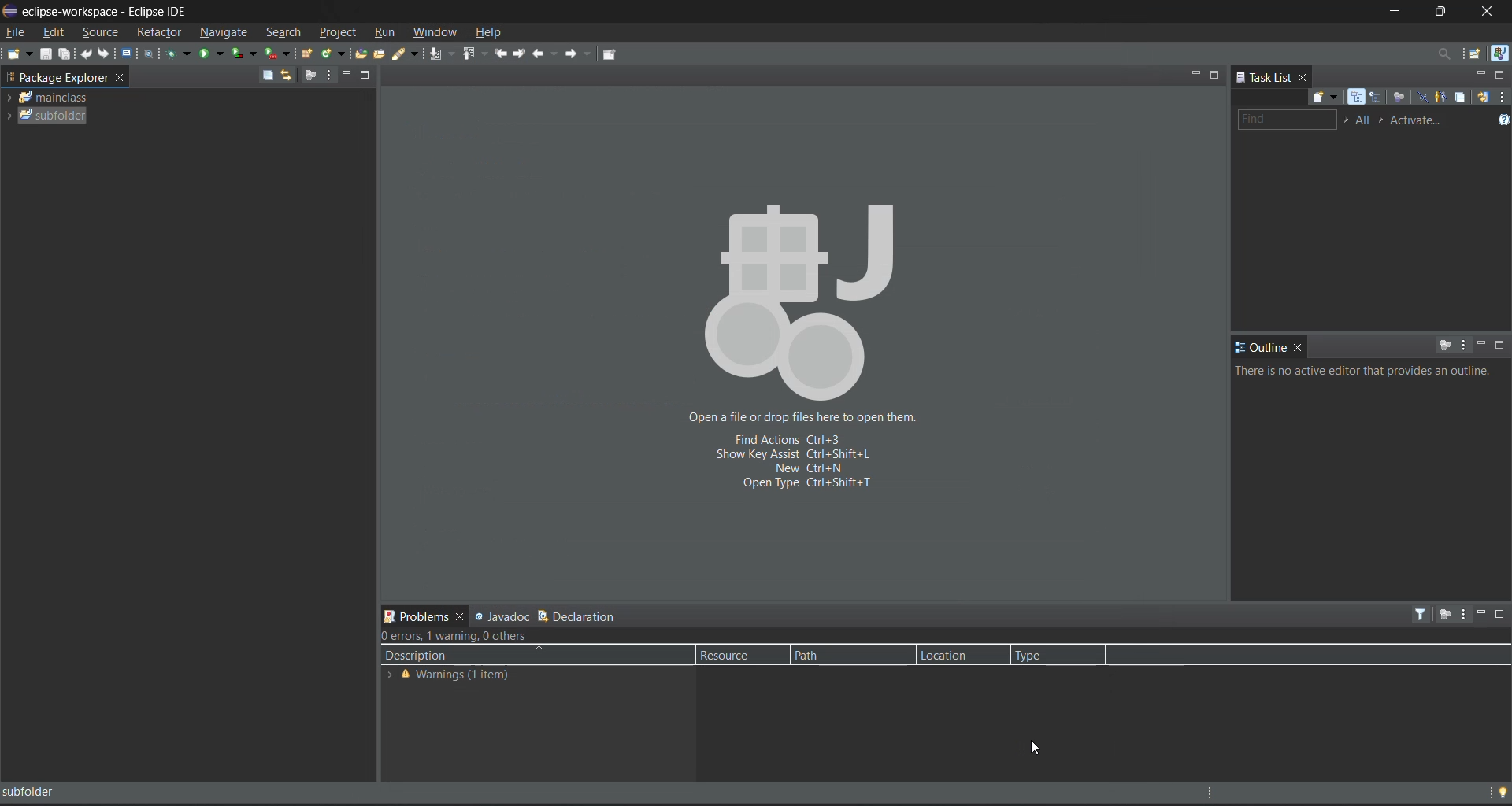  Describe the element at coordinates (470, 637) in the screenshot. I see `metadata` at that location.